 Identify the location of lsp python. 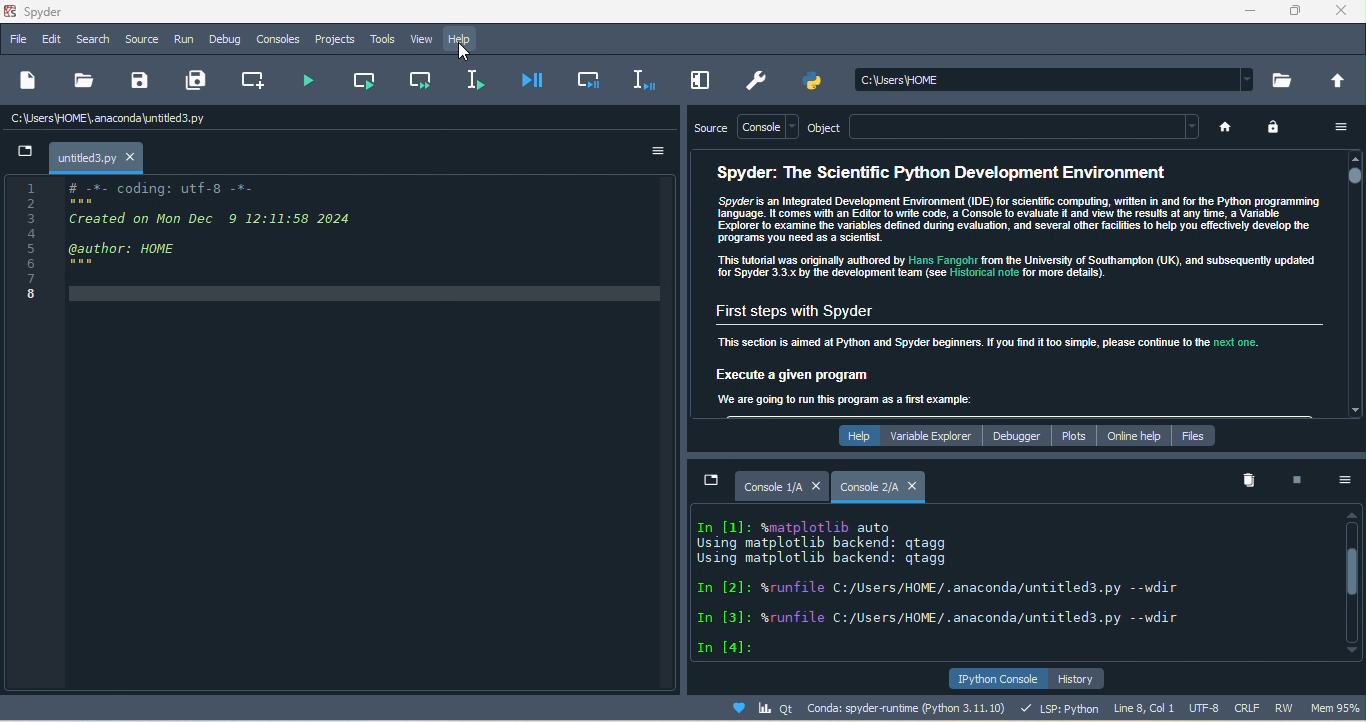
(1057, 708).